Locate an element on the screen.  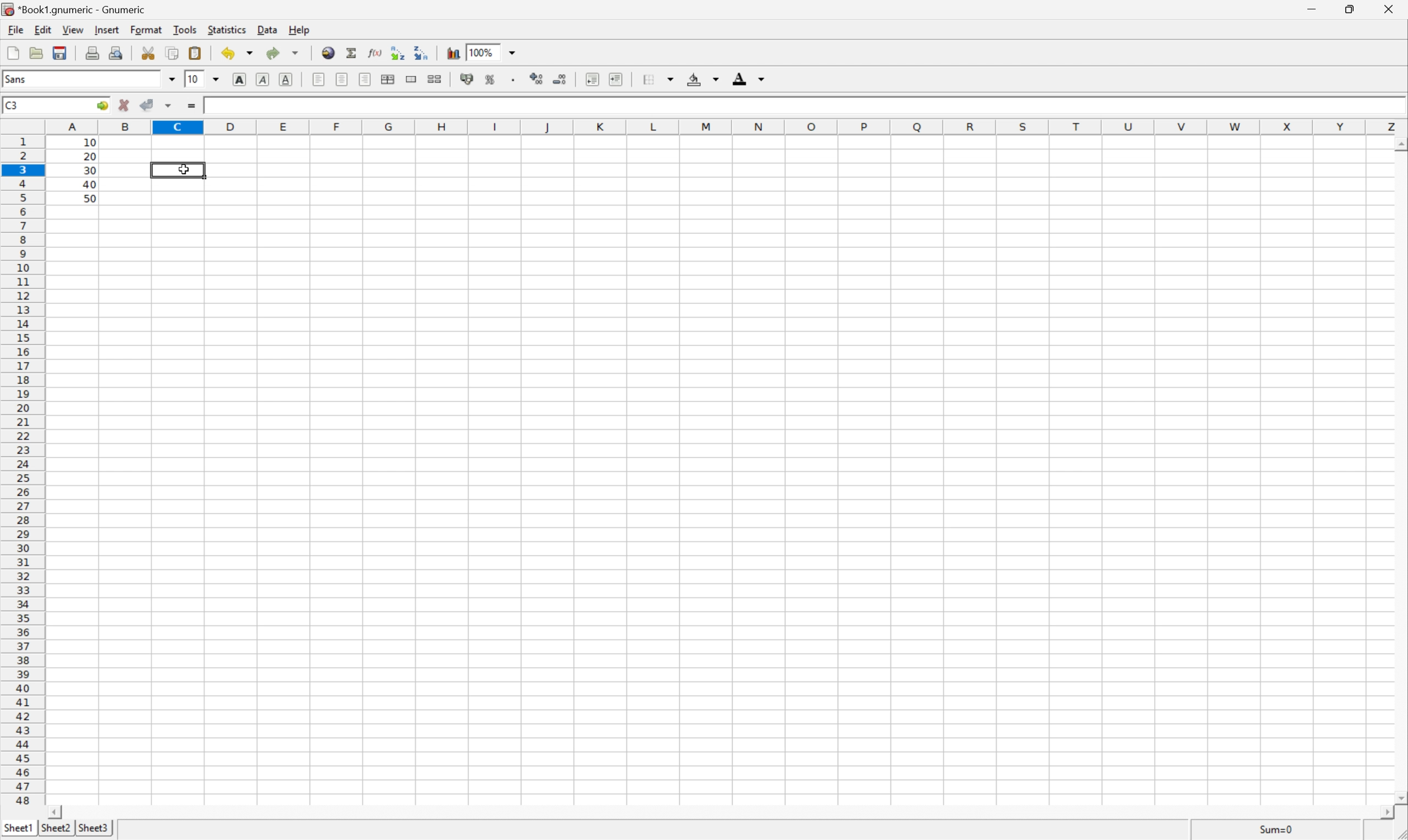
Drop down is located at coordinates (253, 54).